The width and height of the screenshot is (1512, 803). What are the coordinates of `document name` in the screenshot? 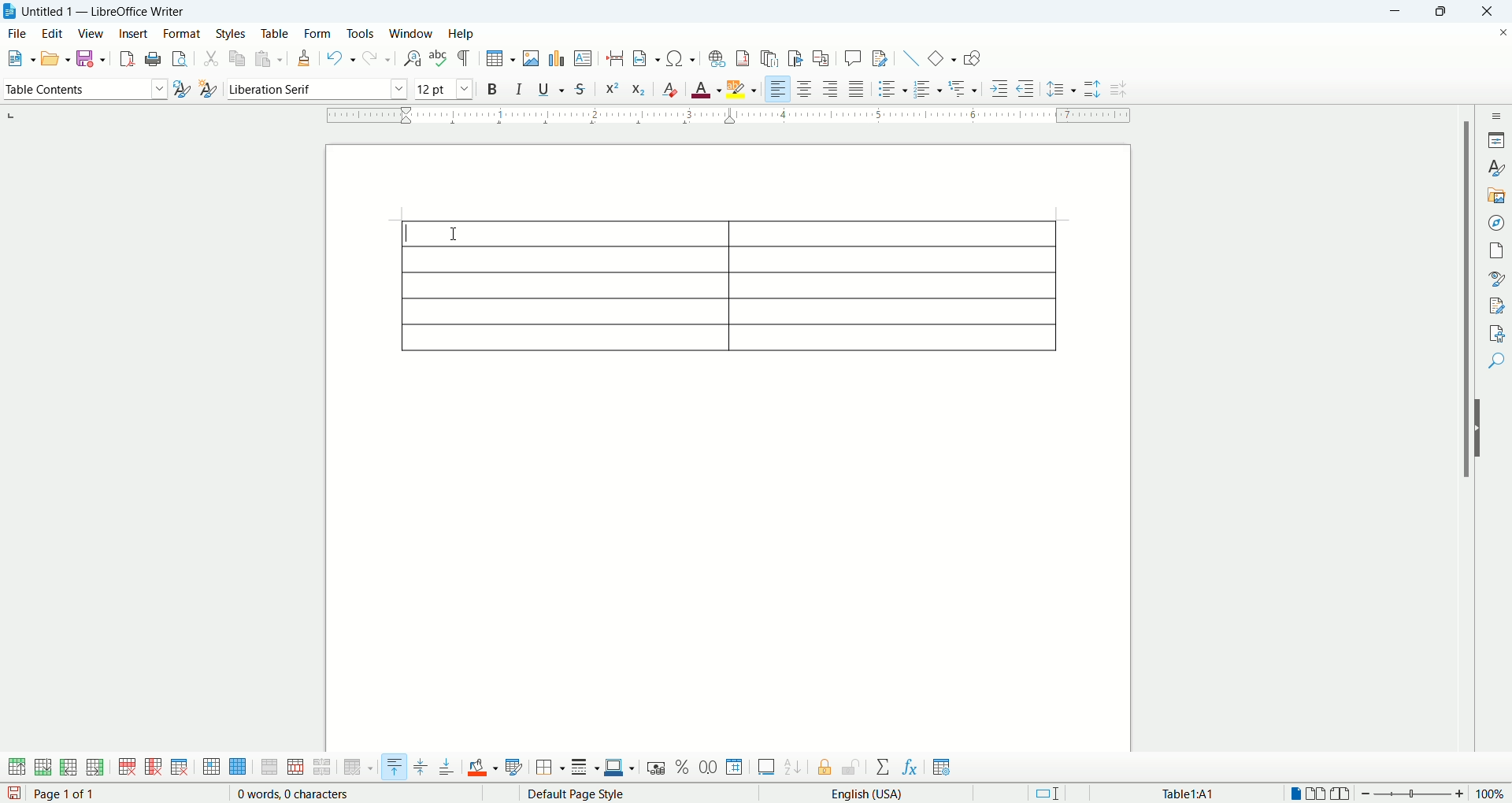 It's located at (113, 12).